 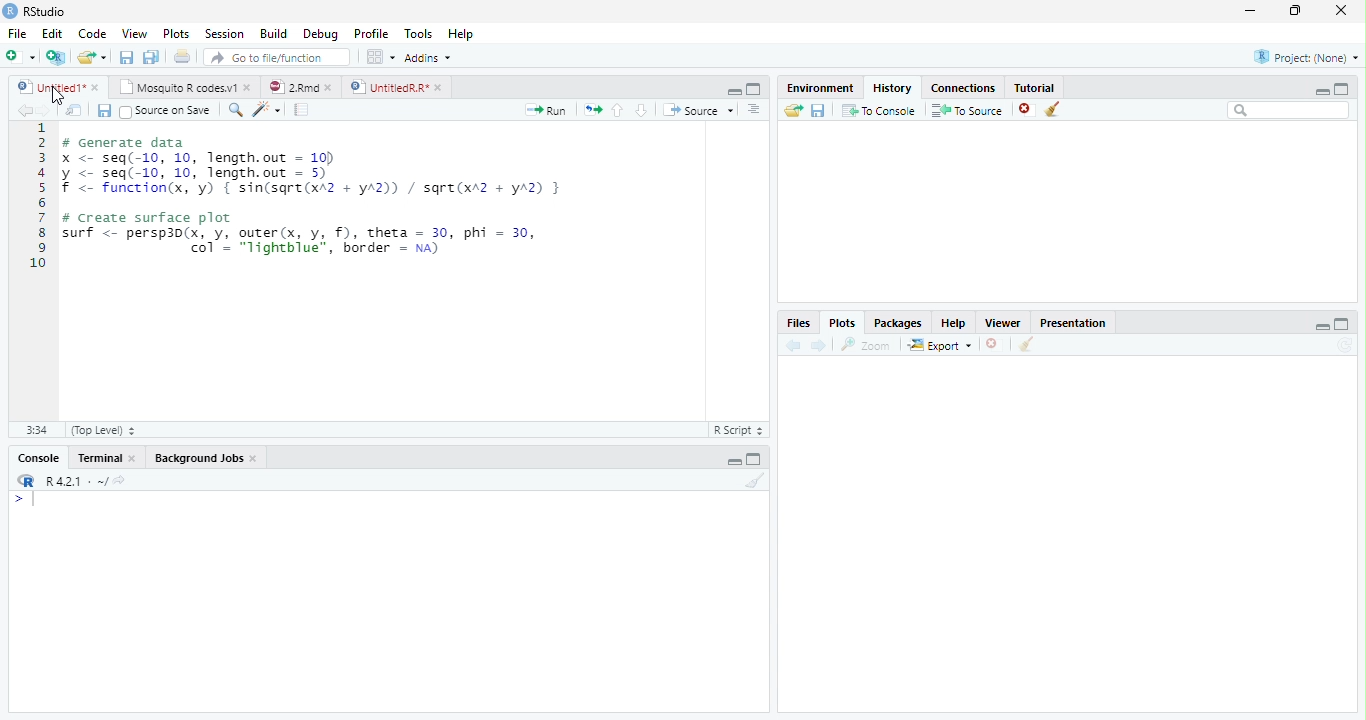 I want to click on Plots, so click(x=843, y=322).